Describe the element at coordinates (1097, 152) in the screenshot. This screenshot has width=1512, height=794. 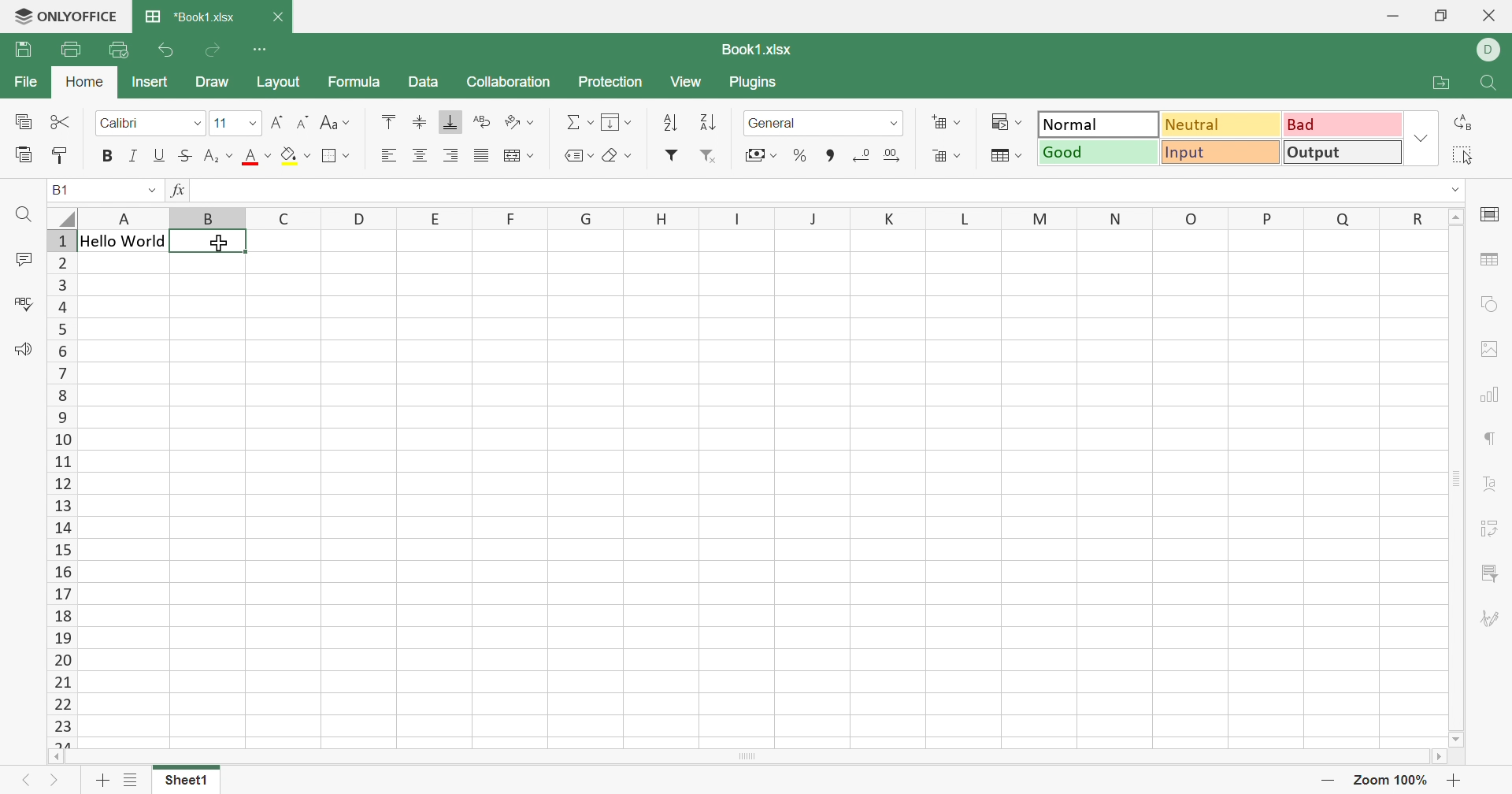
I see `Good` at that location.